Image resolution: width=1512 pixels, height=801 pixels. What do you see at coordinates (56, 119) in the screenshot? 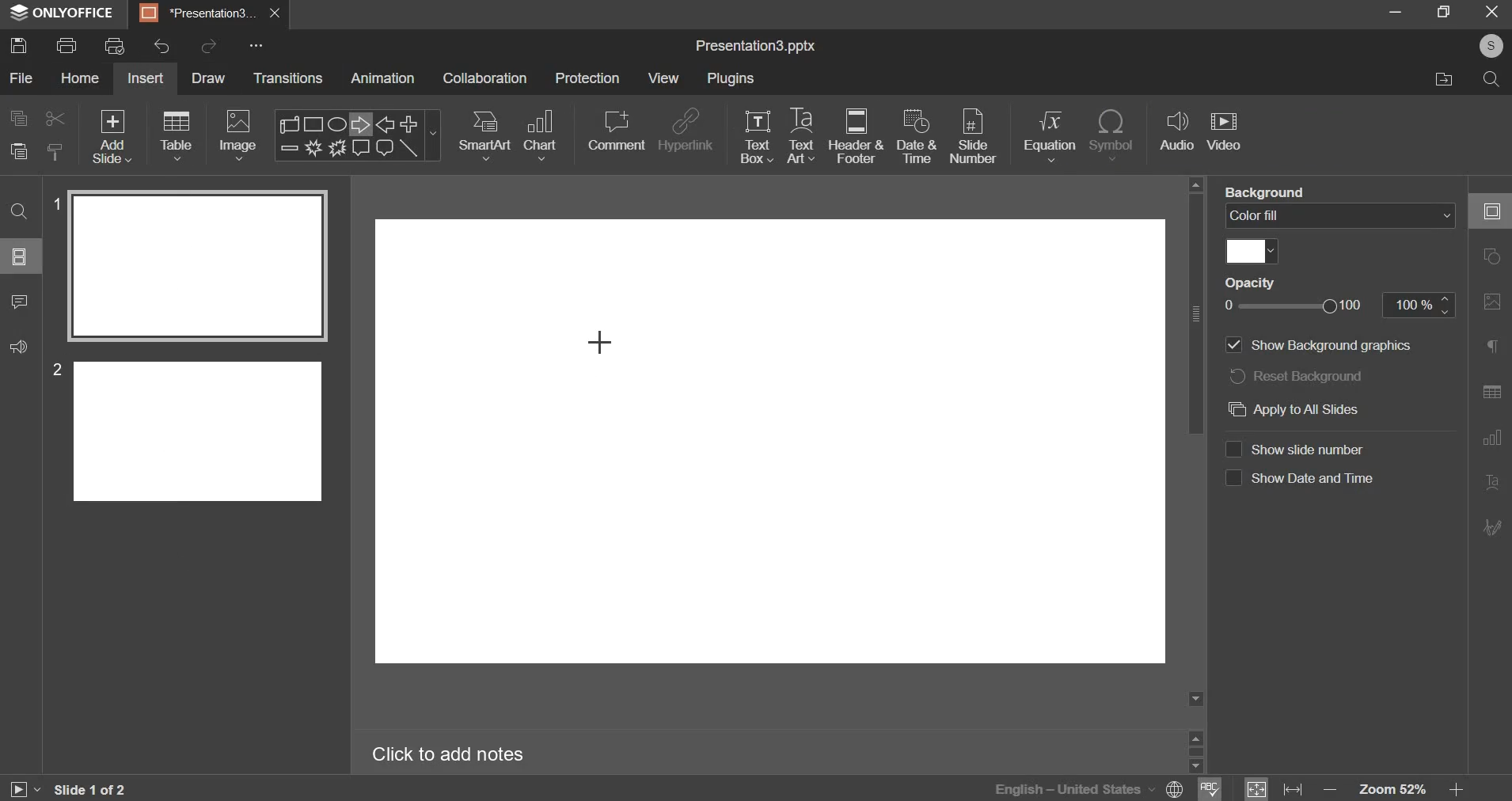
I see `cut` at bounding box center [56, 119].